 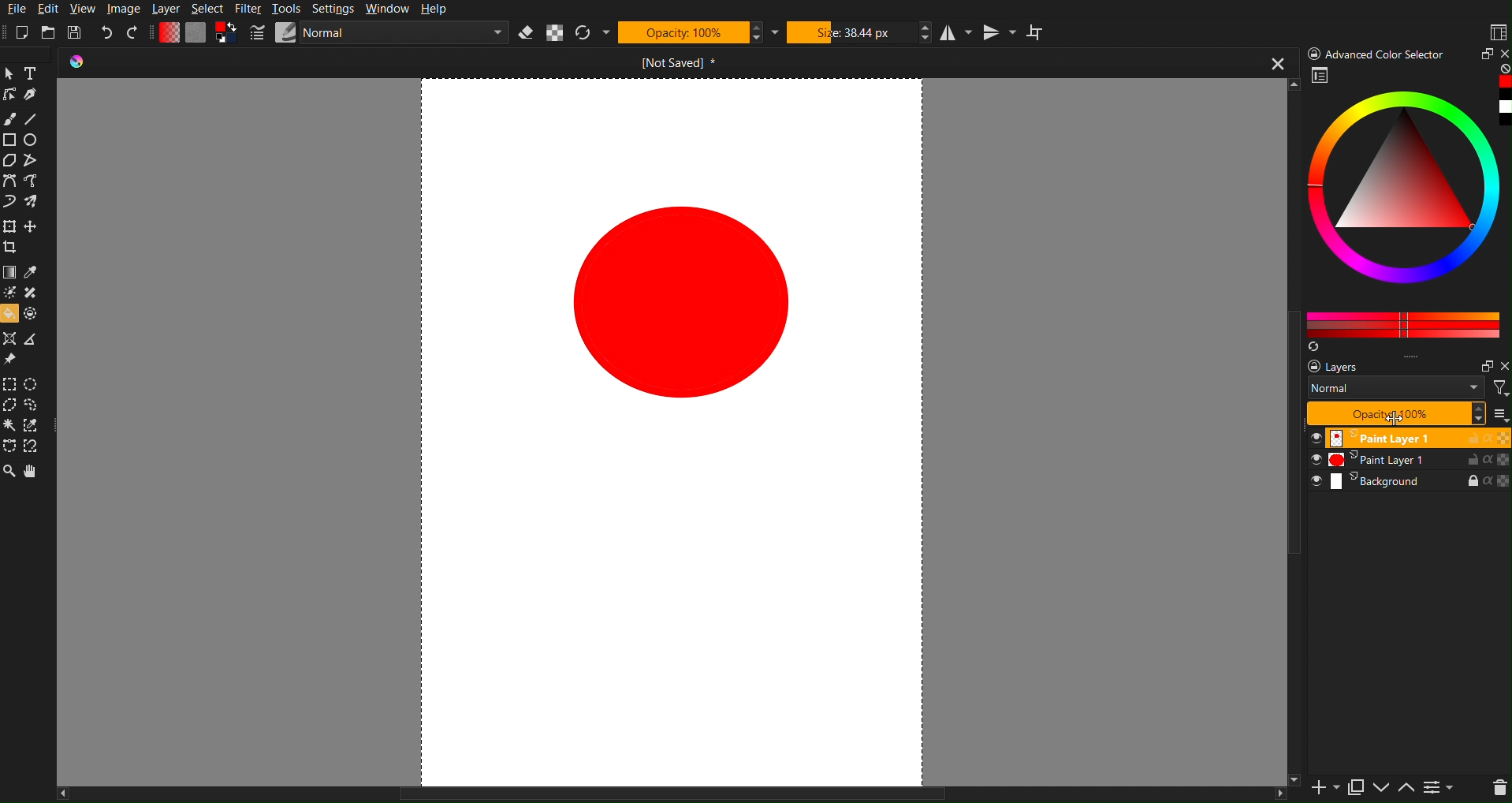 I want to click on Polygonal, so click(x=9, y=406).